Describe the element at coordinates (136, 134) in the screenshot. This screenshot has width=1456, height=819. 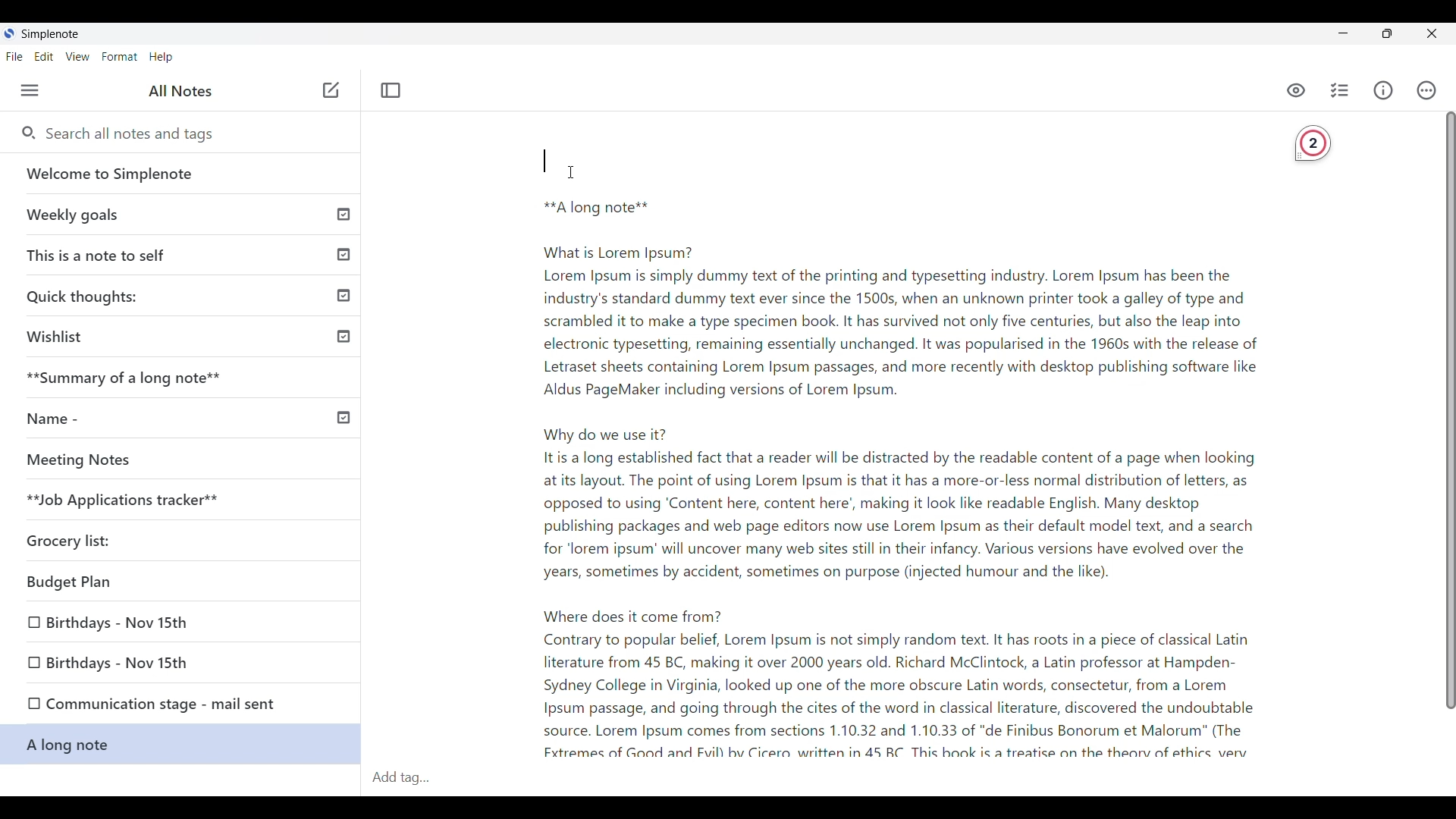
I see `Search all notes and tags` at that location.